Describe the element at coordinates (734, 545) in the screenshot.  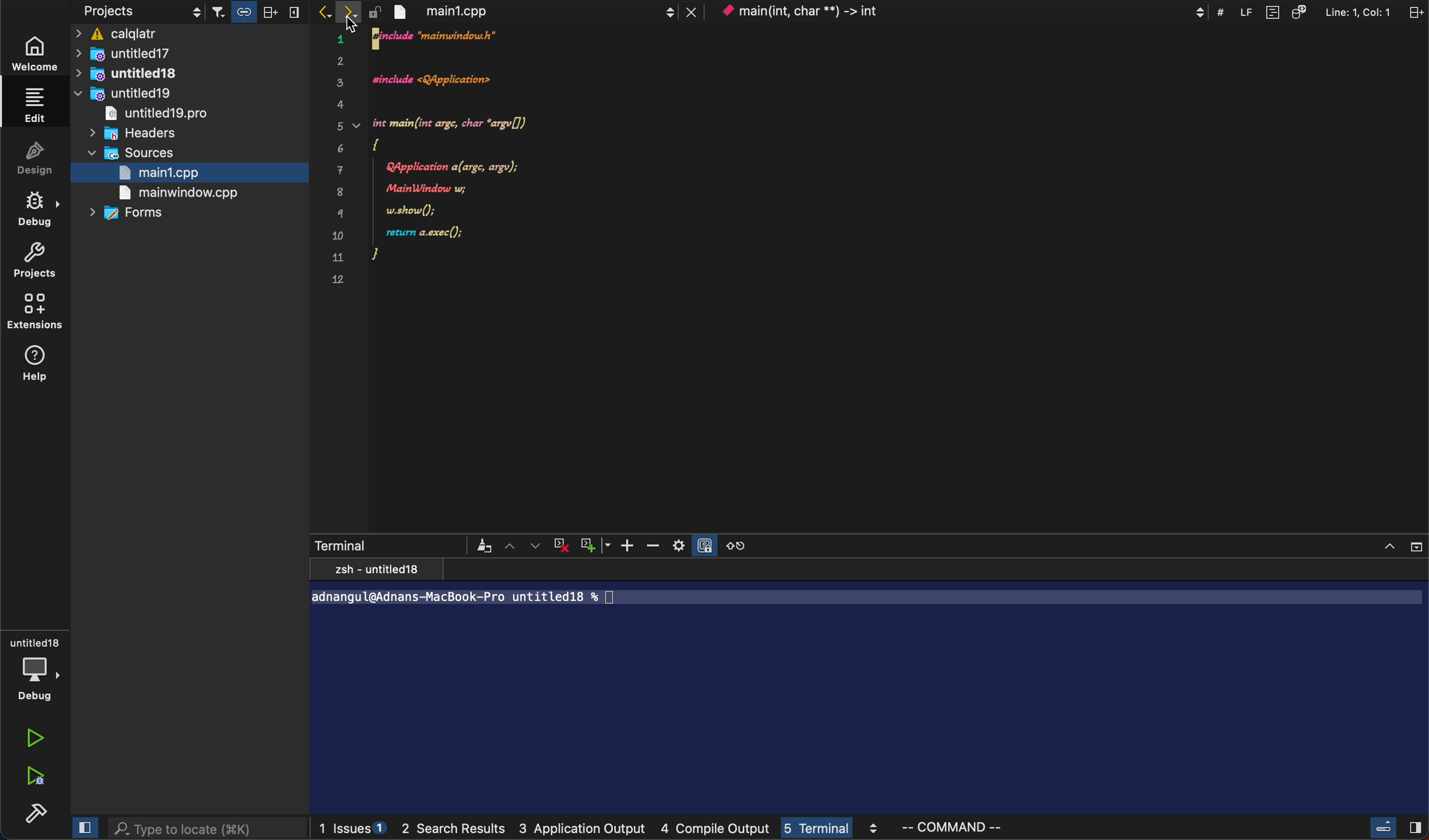
I see `open in new terminal` at that location.